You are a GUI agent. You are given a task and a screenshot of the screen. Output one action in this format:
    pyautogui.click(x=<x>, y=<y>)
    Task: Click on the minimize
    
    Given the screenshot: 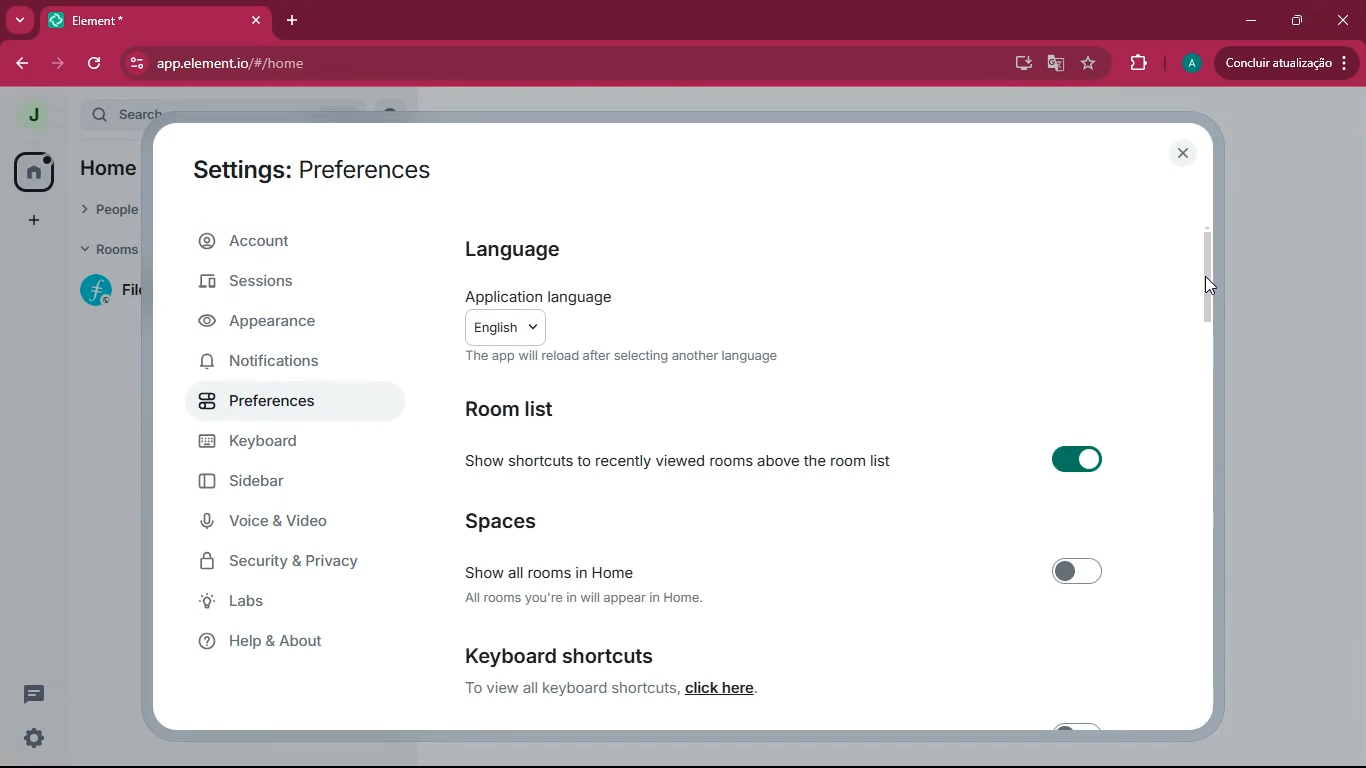 What is the action you would take?
    pyautogui.click(x=1250, y=21)
    